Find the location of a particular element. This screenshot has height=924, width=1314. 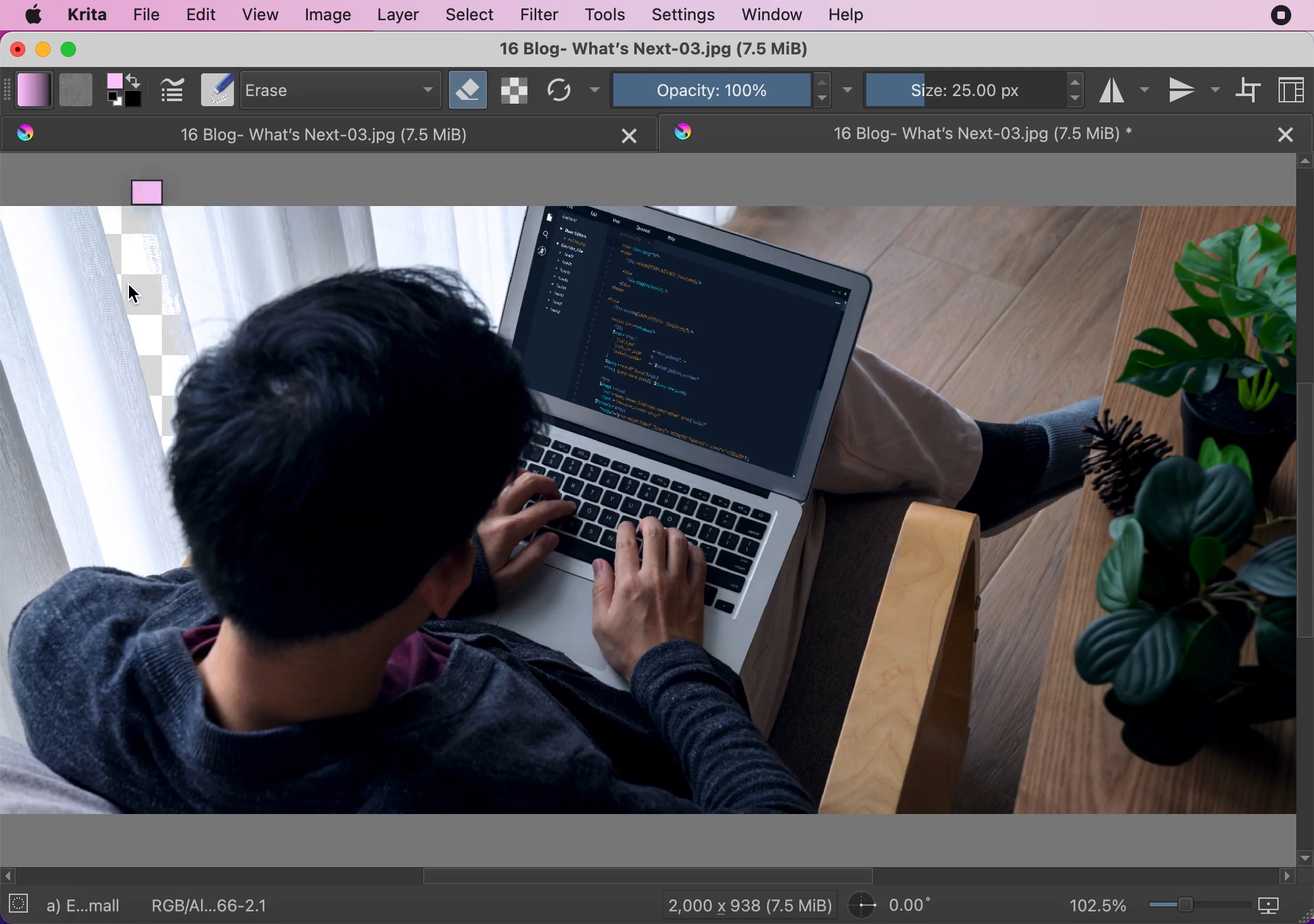

krita is located at coordinates (90, 13).